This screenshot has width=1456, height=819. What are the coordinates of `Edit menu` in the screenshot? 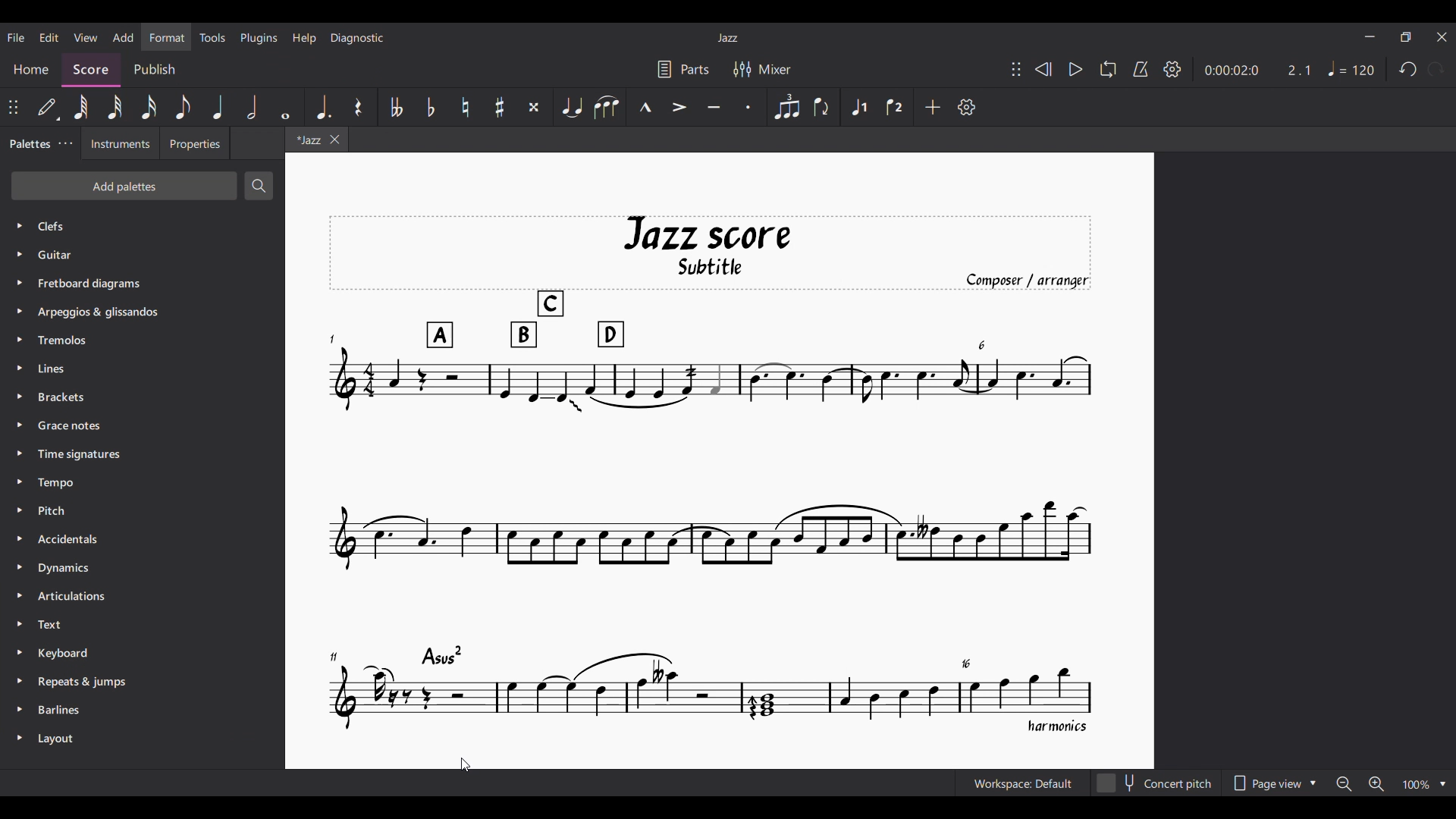 It's located at (49, 37).